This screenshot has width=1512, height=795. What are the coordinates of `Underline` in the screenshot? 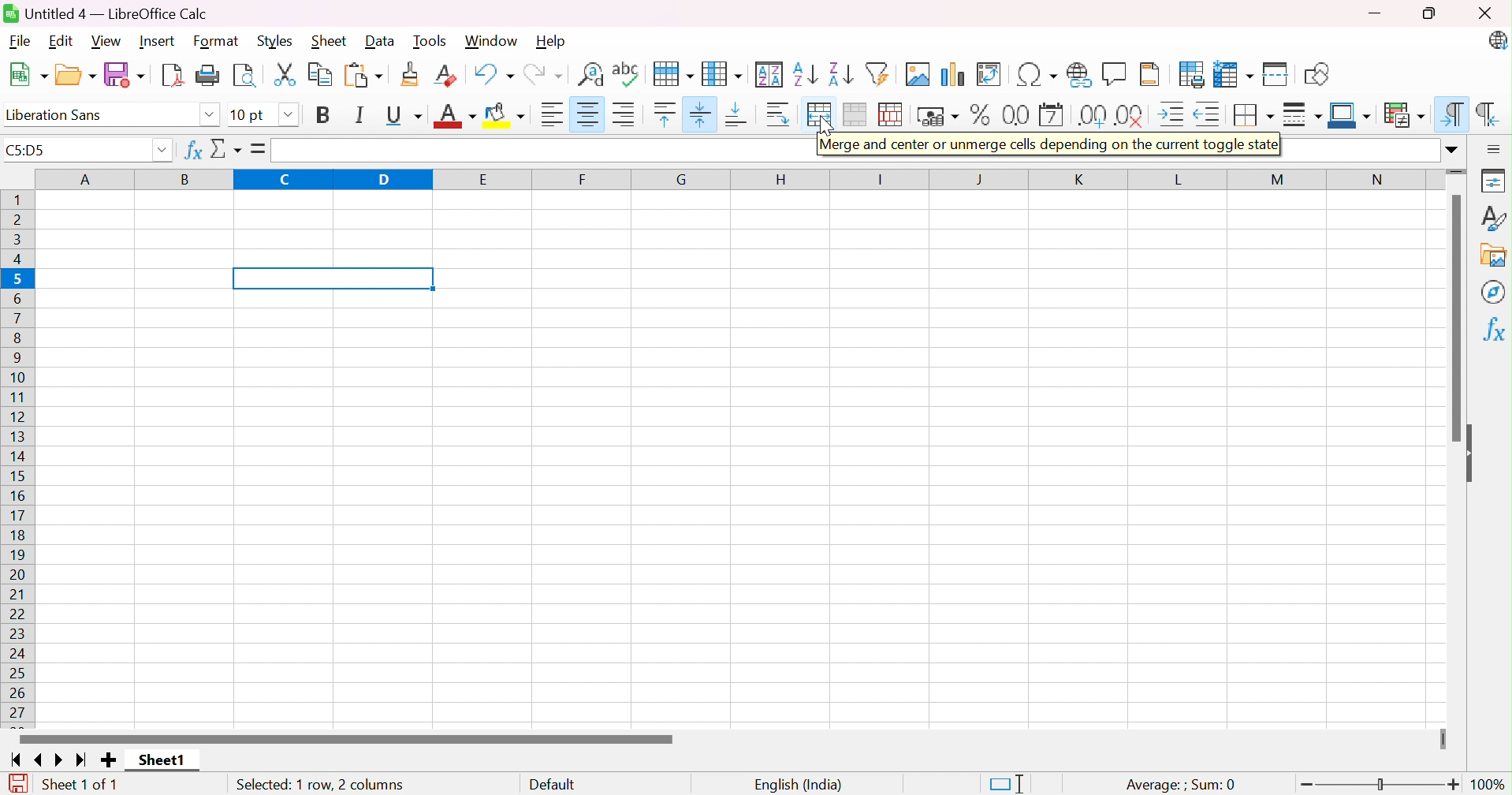 It's located at (403, 115).